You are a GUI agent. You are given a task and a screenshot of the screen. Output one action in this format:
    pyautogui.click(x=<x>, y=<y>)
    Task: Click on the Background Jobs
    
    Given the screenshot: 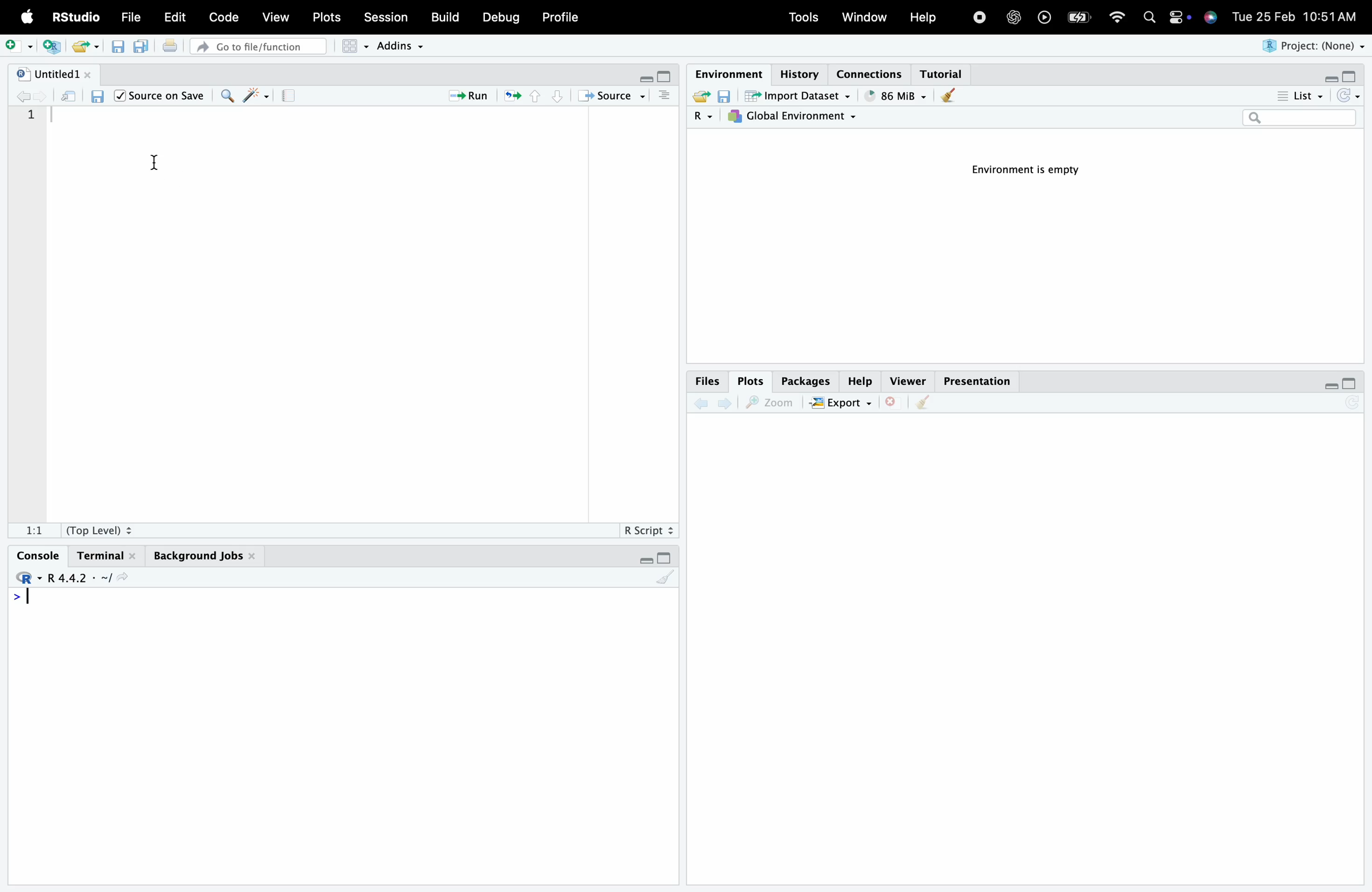 What is the action you would take?
    pyautogui.click(x=203, y=557)
    